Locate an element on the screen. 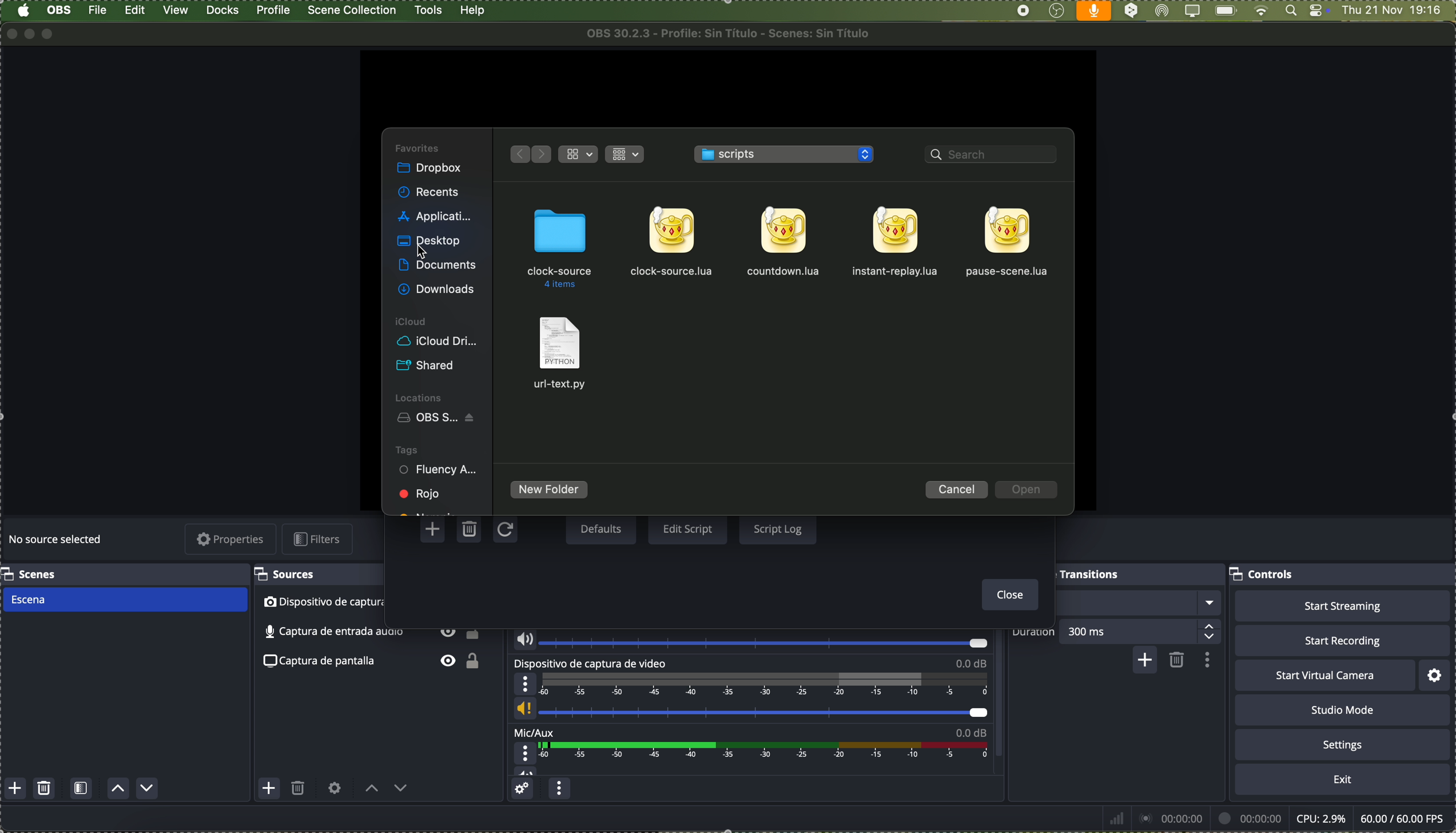 The image size is (1456, 833). script log button is located at coordinates (777, 528).